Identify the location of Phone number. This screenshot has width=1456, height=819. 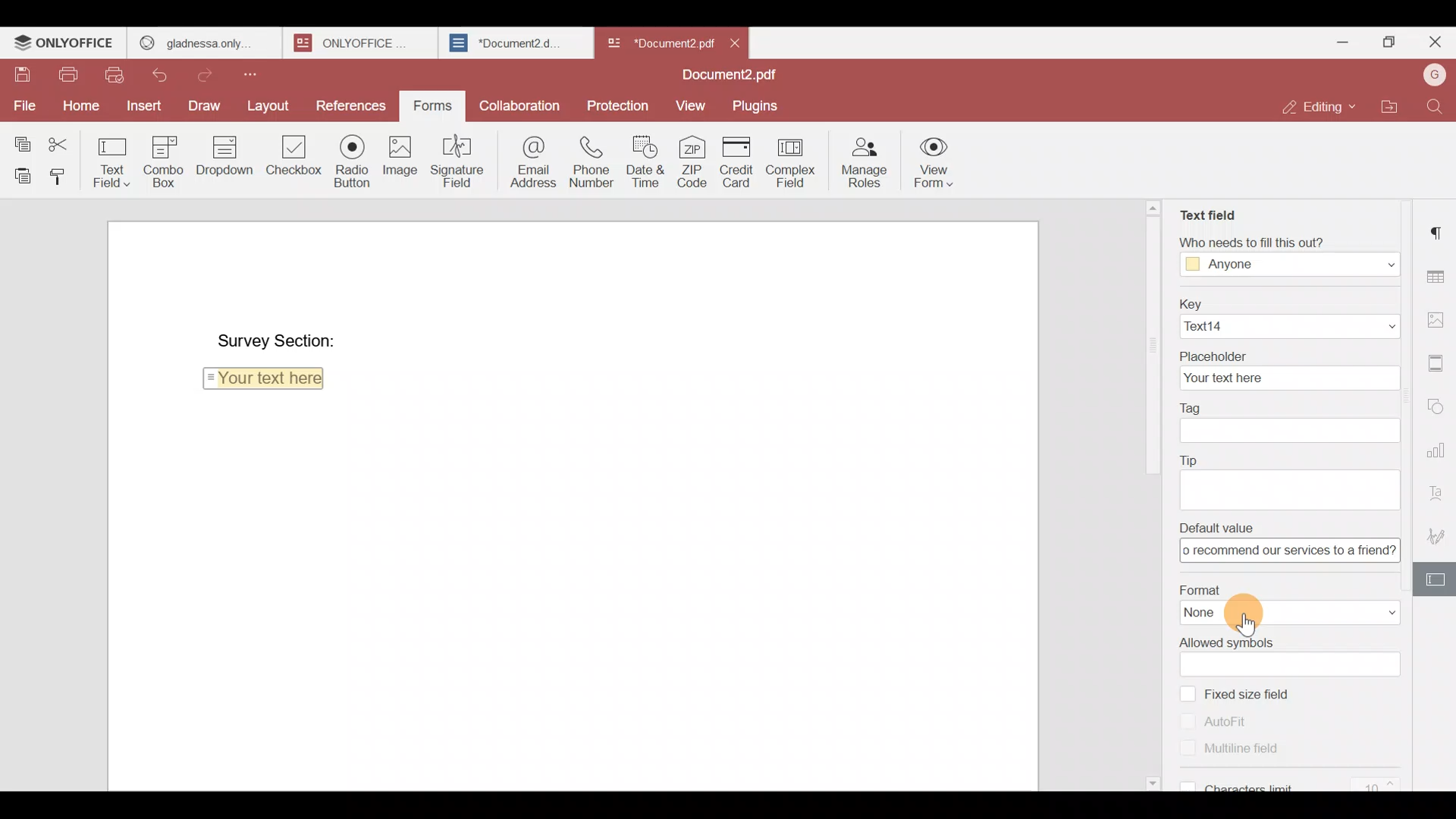
(593, 161).